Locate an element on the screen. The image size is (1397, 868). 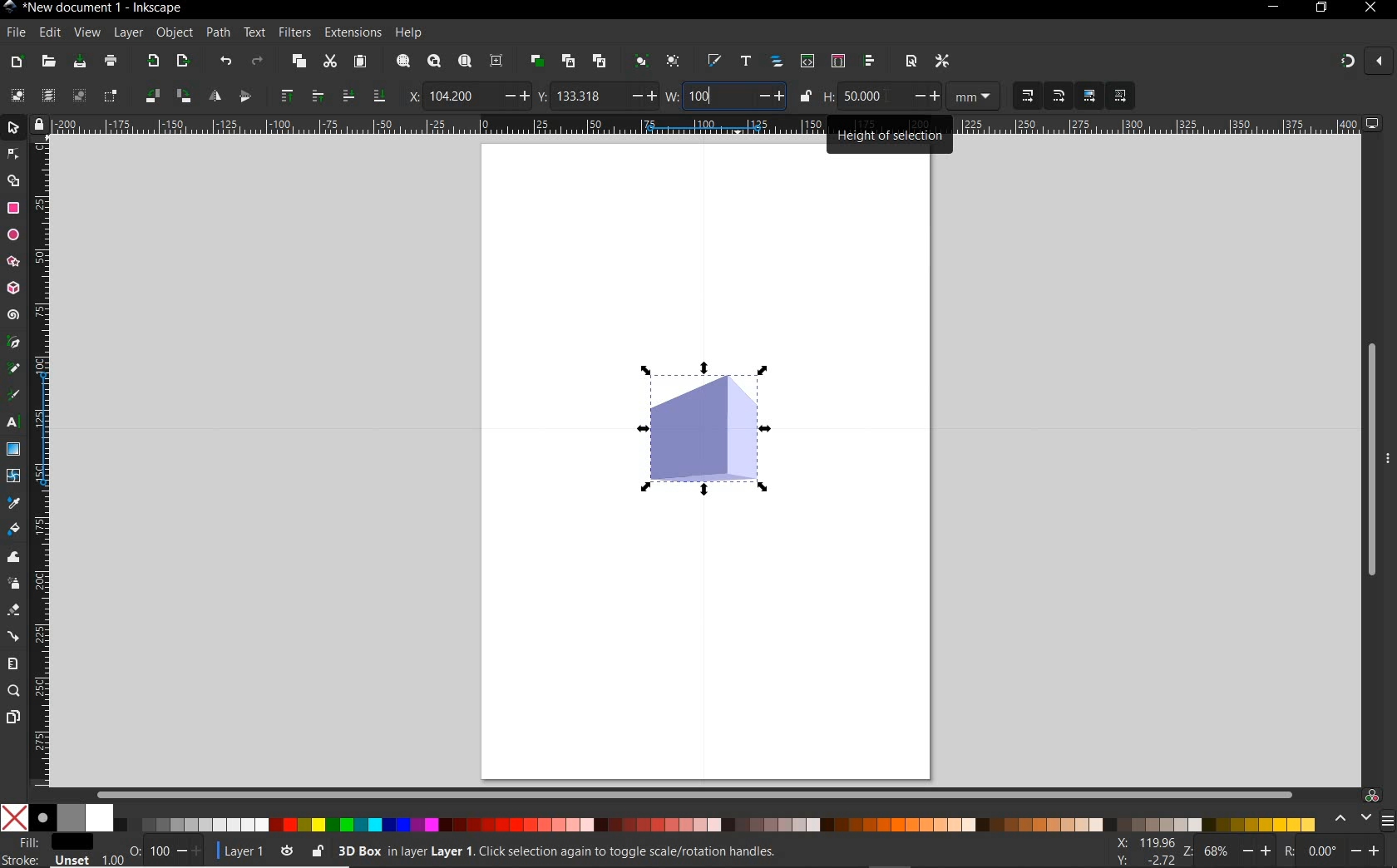
current layer is located at coordinates (244, 851).